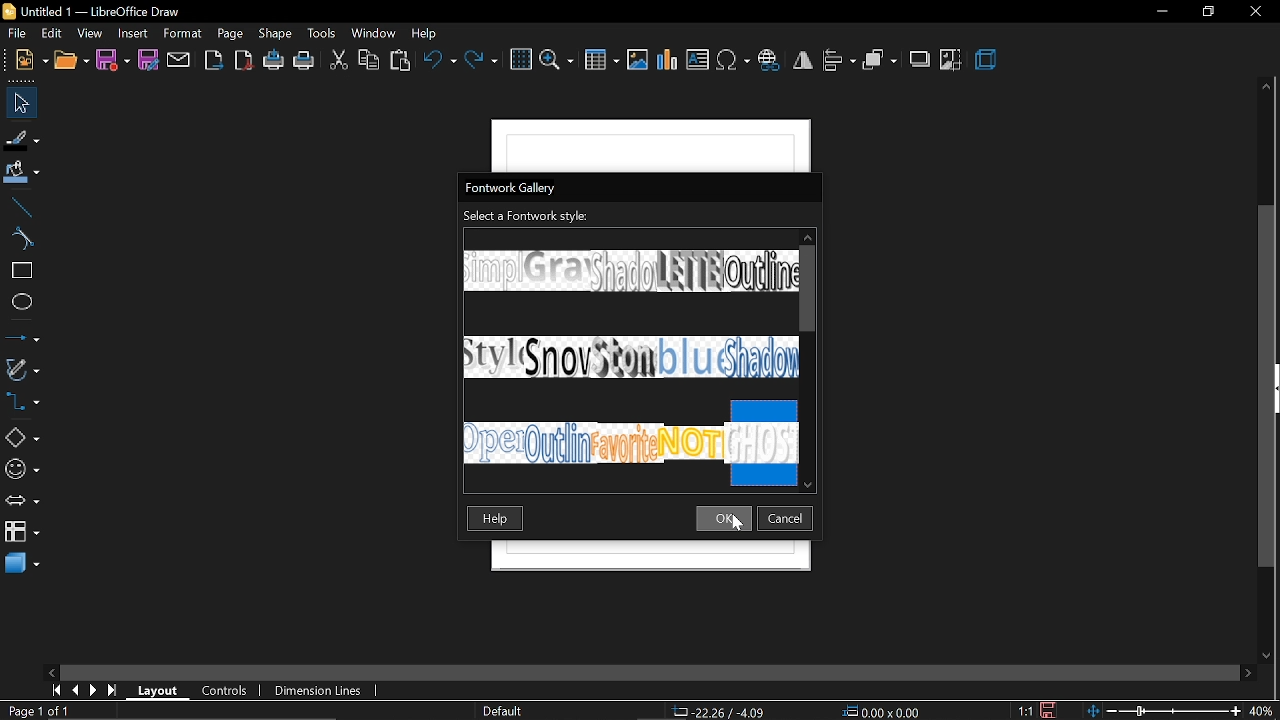 This screenshot has height=720, width=1280. What do you see at coordinates (1025, 712) in the screenshot?
I see `scaling factor` at bounding box center [1025, 712].